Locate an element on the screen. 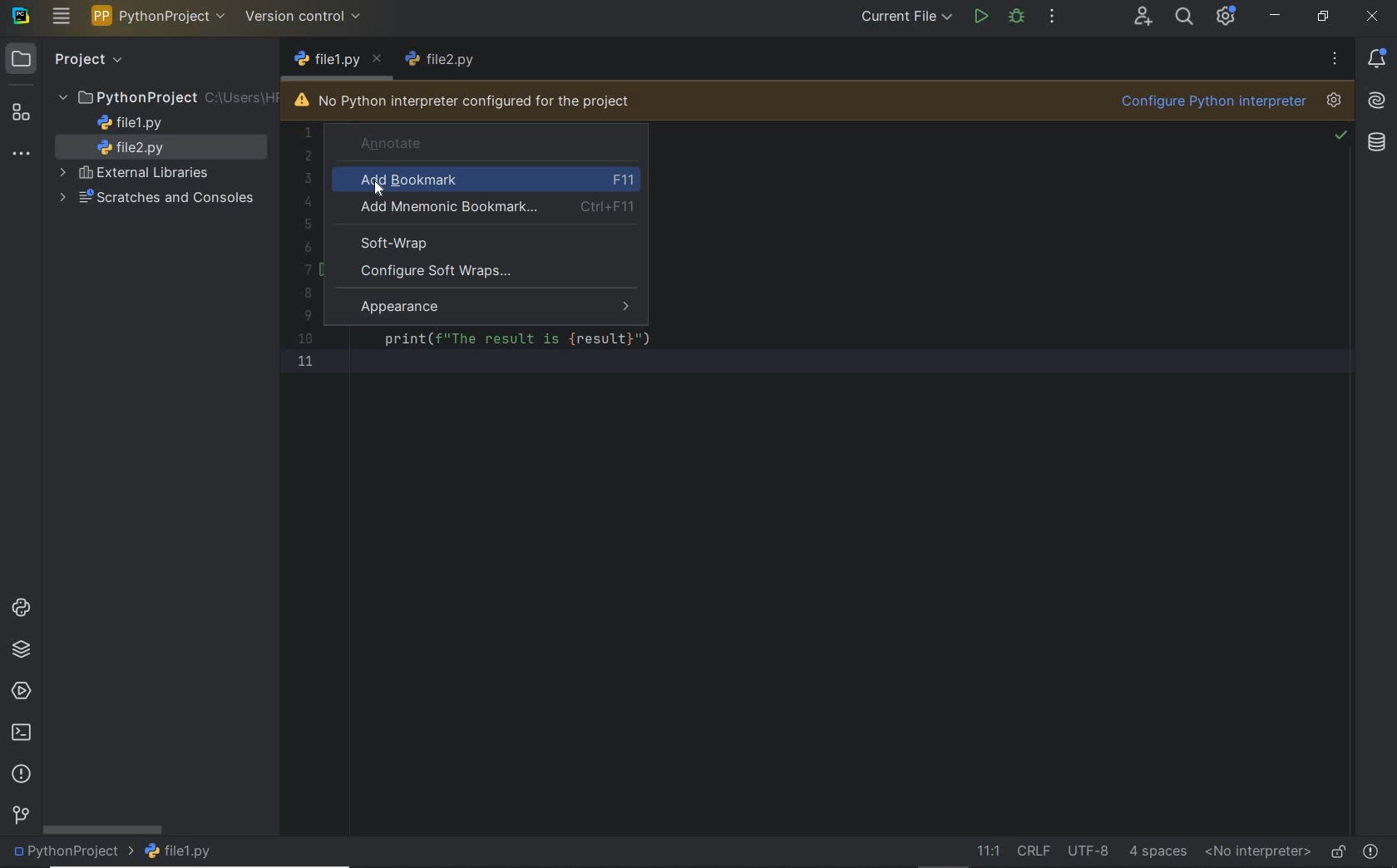 This screenshot has width=1397, height=868. services is located at coordinates (19, 693).